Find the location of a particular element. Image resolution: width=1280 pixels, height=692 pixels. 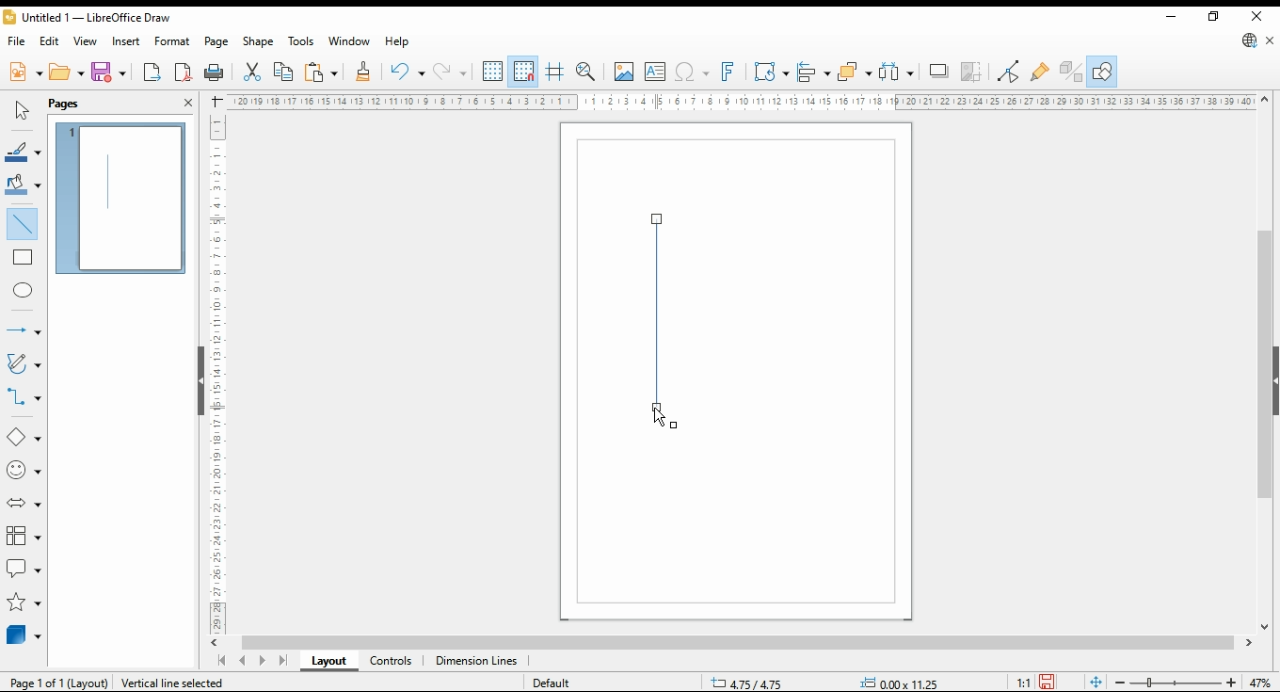

stars and banners is located at coordinates (22, 603).